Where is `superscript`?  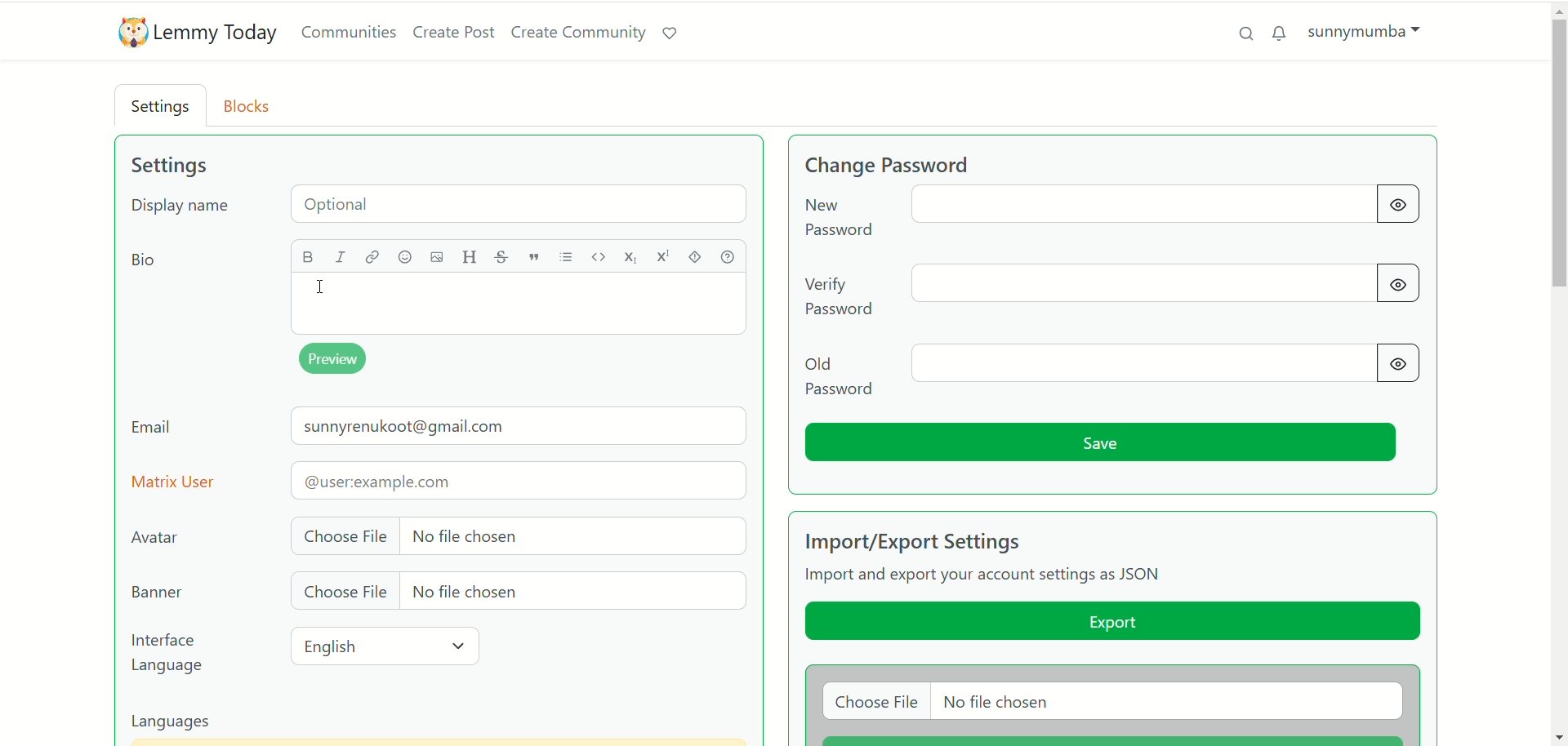
superscript is located at coordinates (663, 259).